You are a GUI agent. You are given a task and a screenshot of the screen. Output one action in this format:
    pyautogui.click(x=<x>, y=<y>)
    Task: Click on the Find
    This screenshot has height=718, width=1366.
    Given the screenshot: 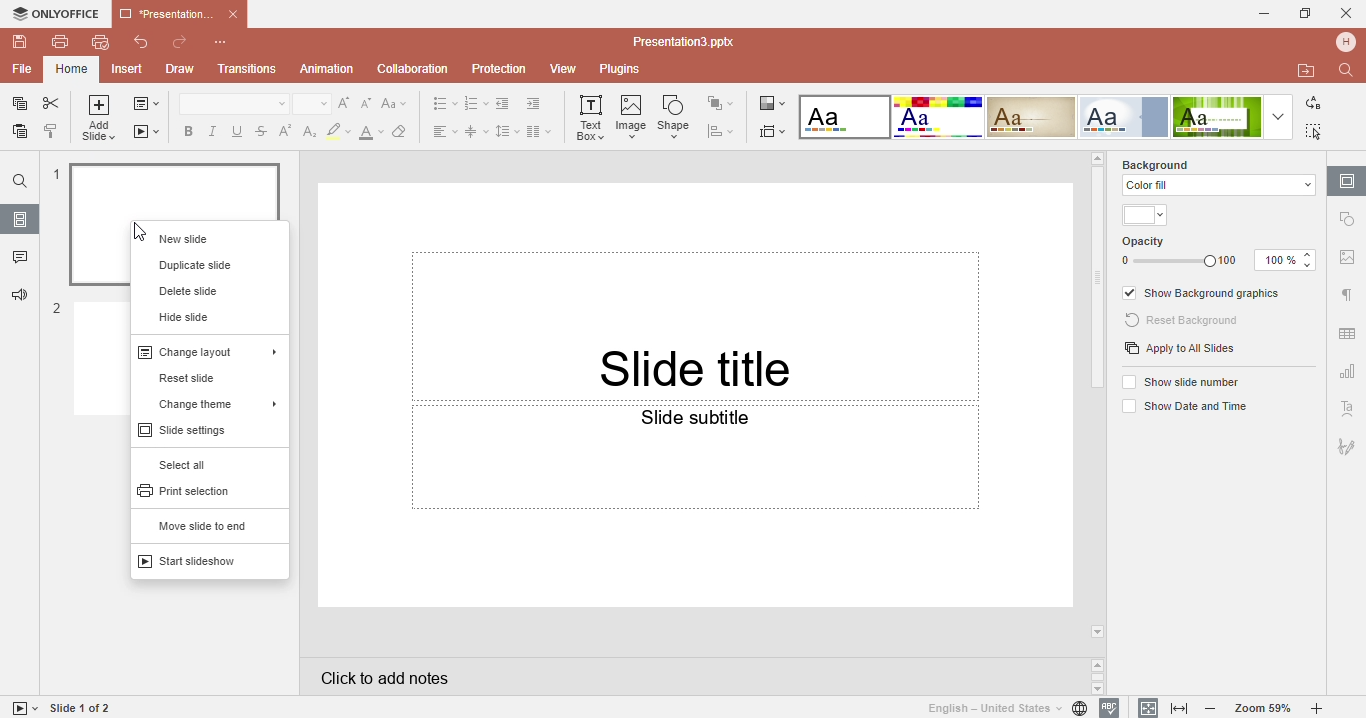 What is the action you would take?
    pyautogui.click(x=1349, y=70)
    